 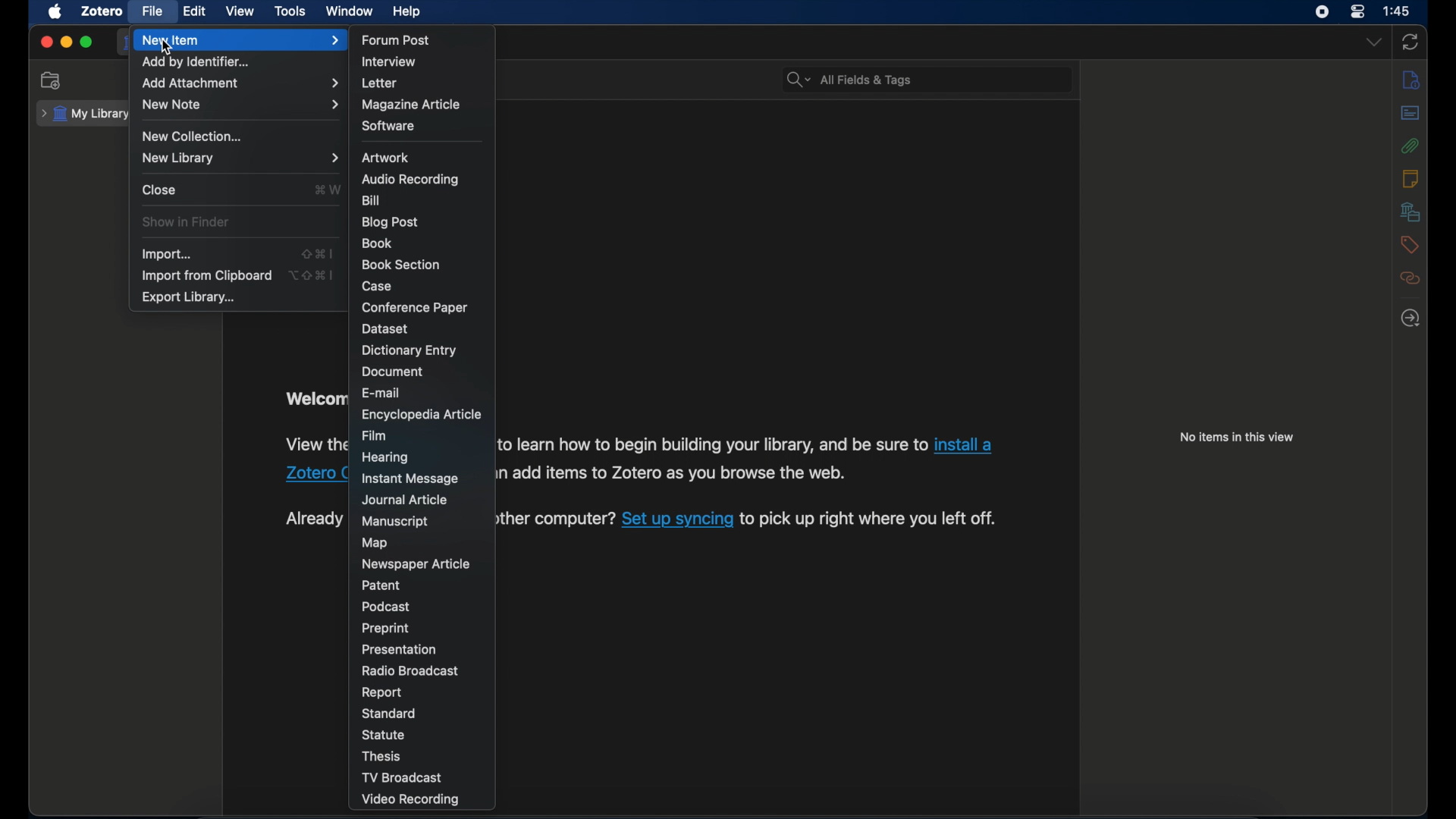 What do you see at coordinates (54, 11) in the screenshot?
I see `apple` at bounding box center [54, 11].